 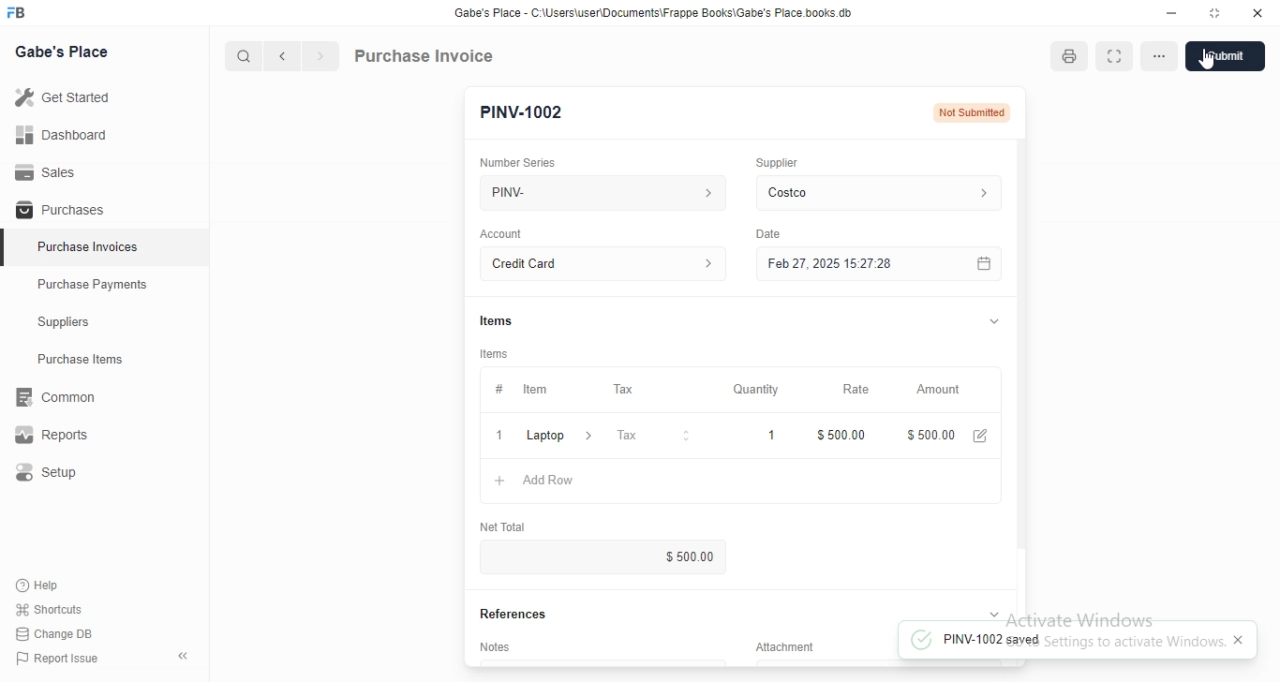 I want to click on Quantity, so click(x=750, y=389).